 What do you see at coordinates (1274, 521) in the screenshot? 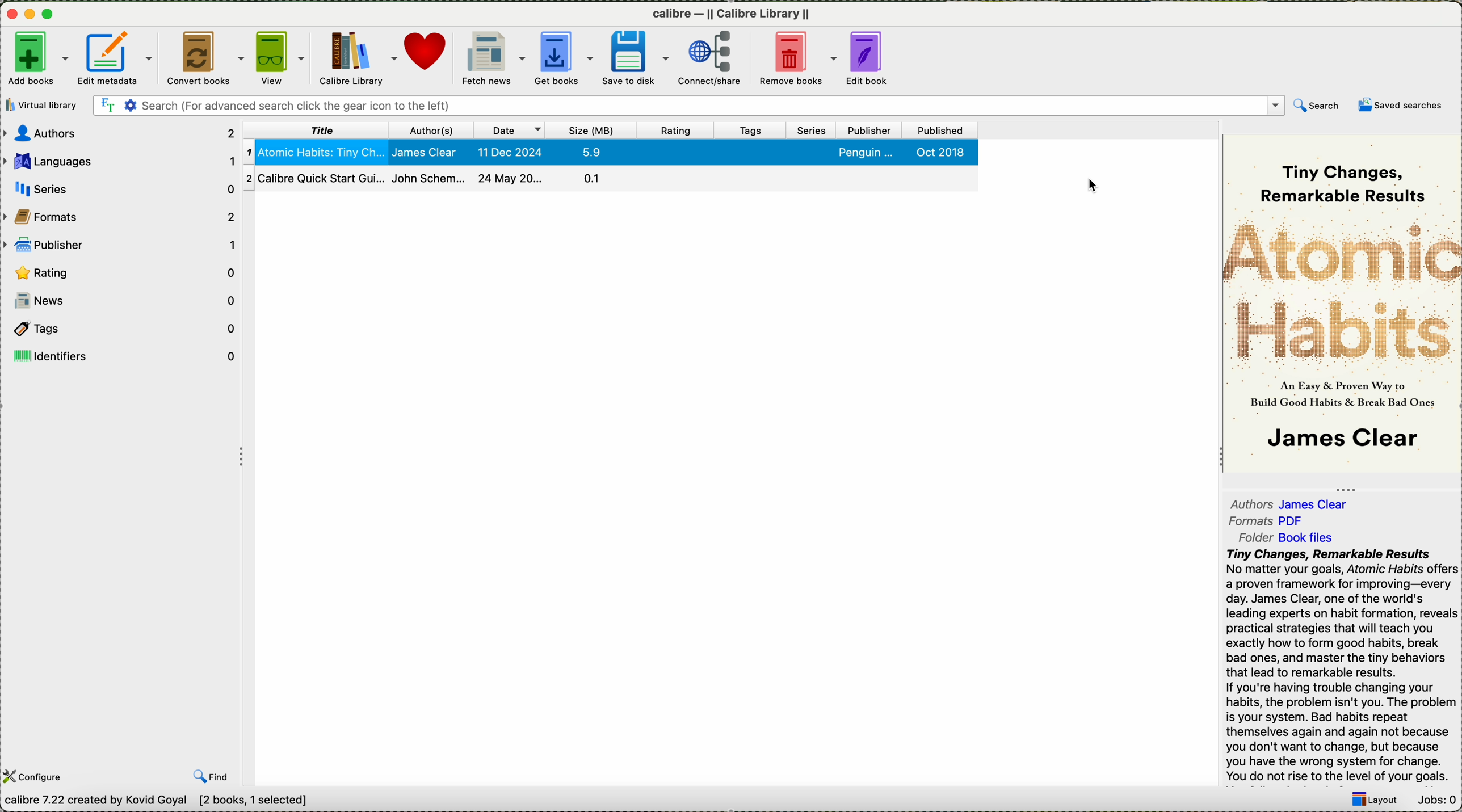
I see `formats` at bounding box center [1274, 521].